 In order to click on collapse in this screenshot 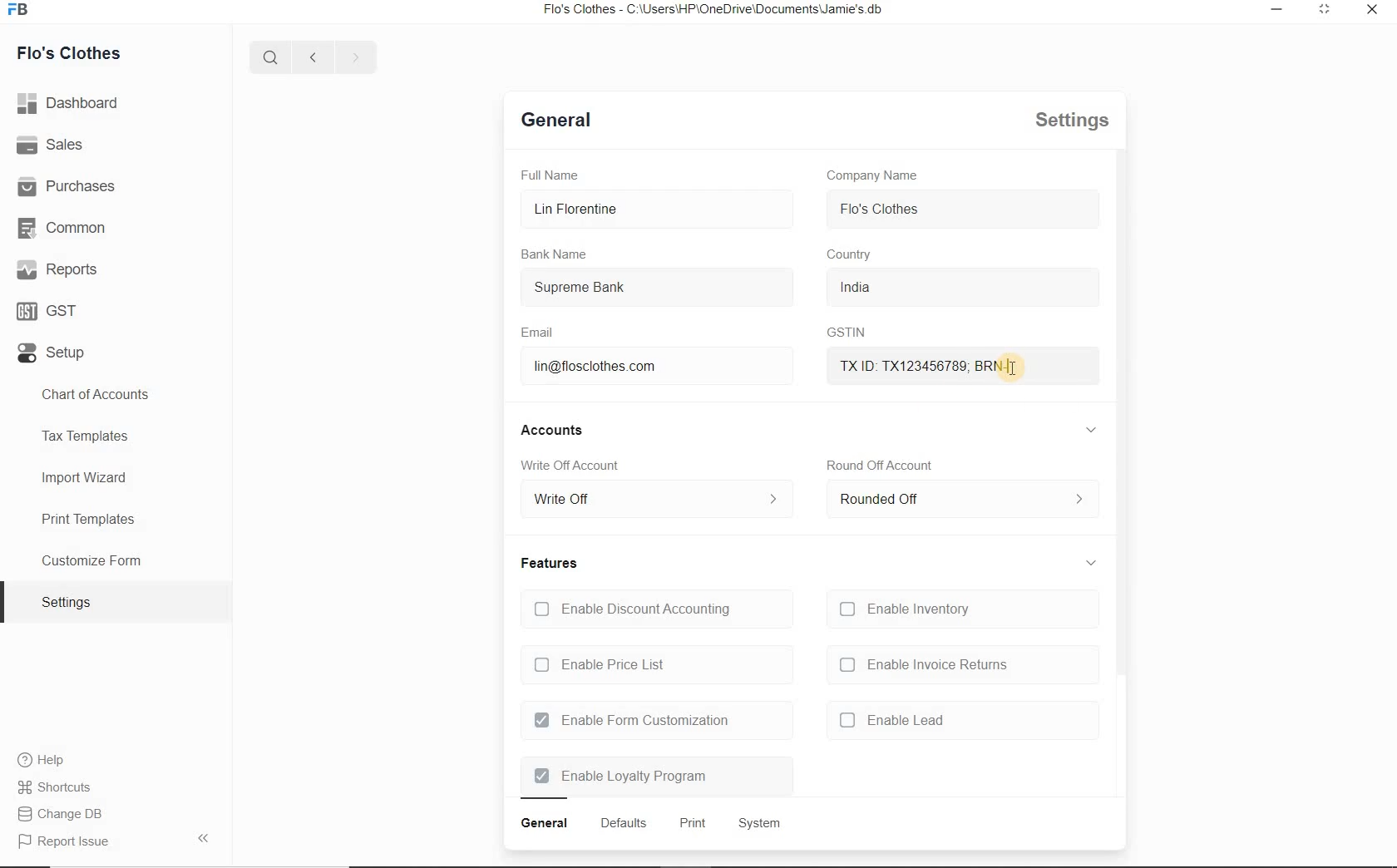, I will do `click(1092, 559)`.